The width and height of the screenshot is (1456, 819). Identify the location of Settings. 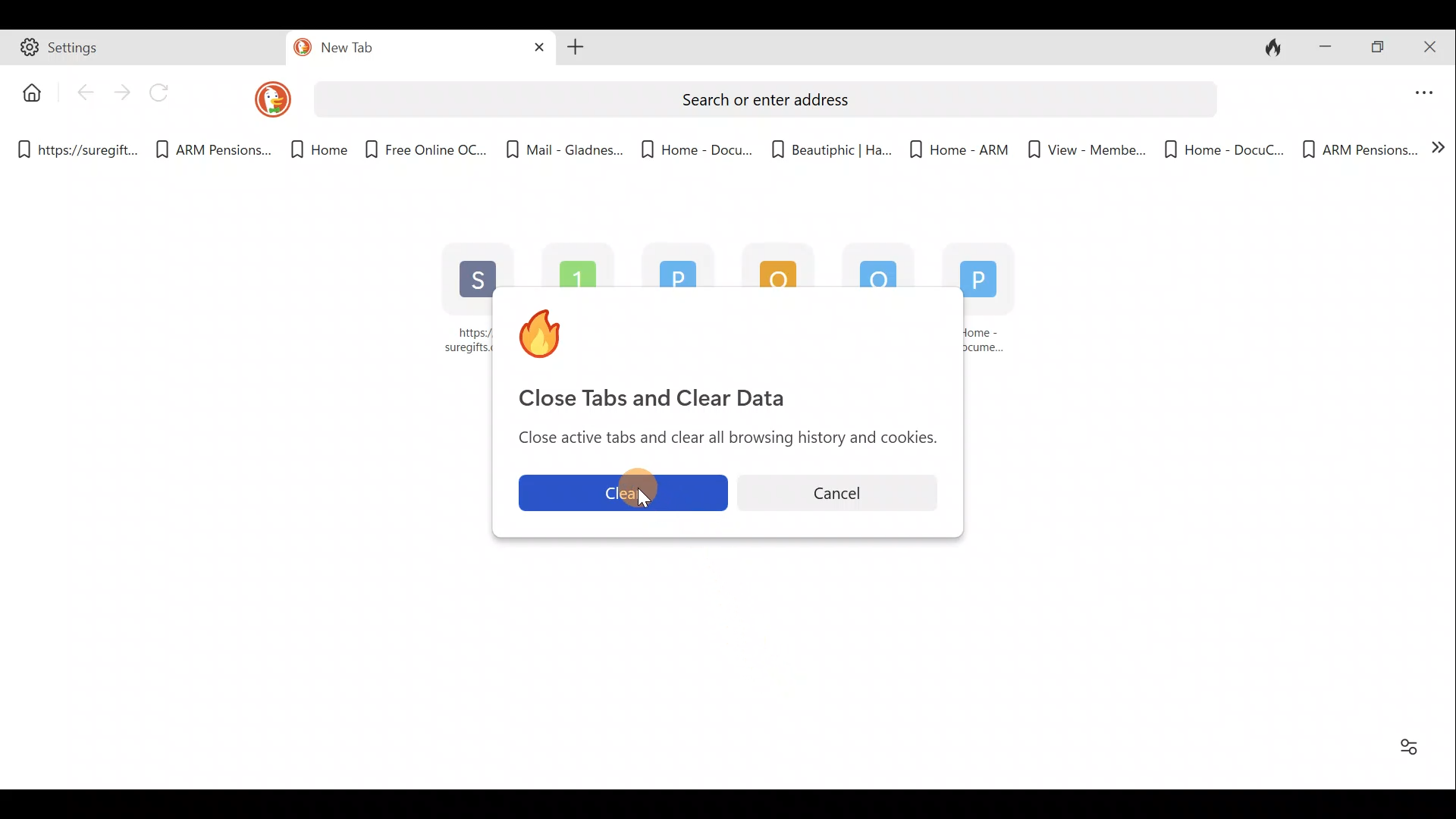
(145, 50).